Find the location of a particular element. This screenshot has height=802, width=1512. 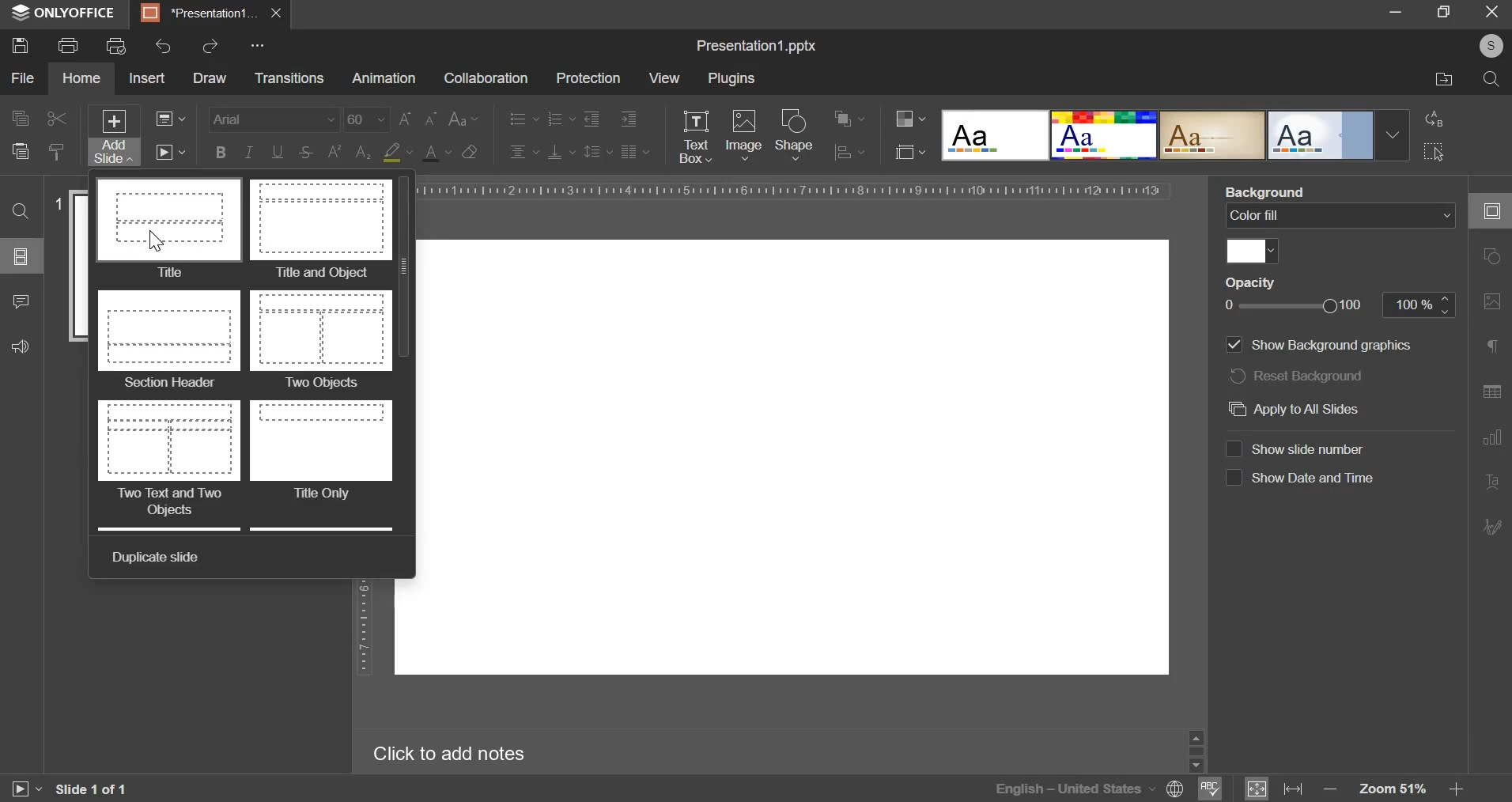

slide 1 of 1 is located at coordinates (89, 789).